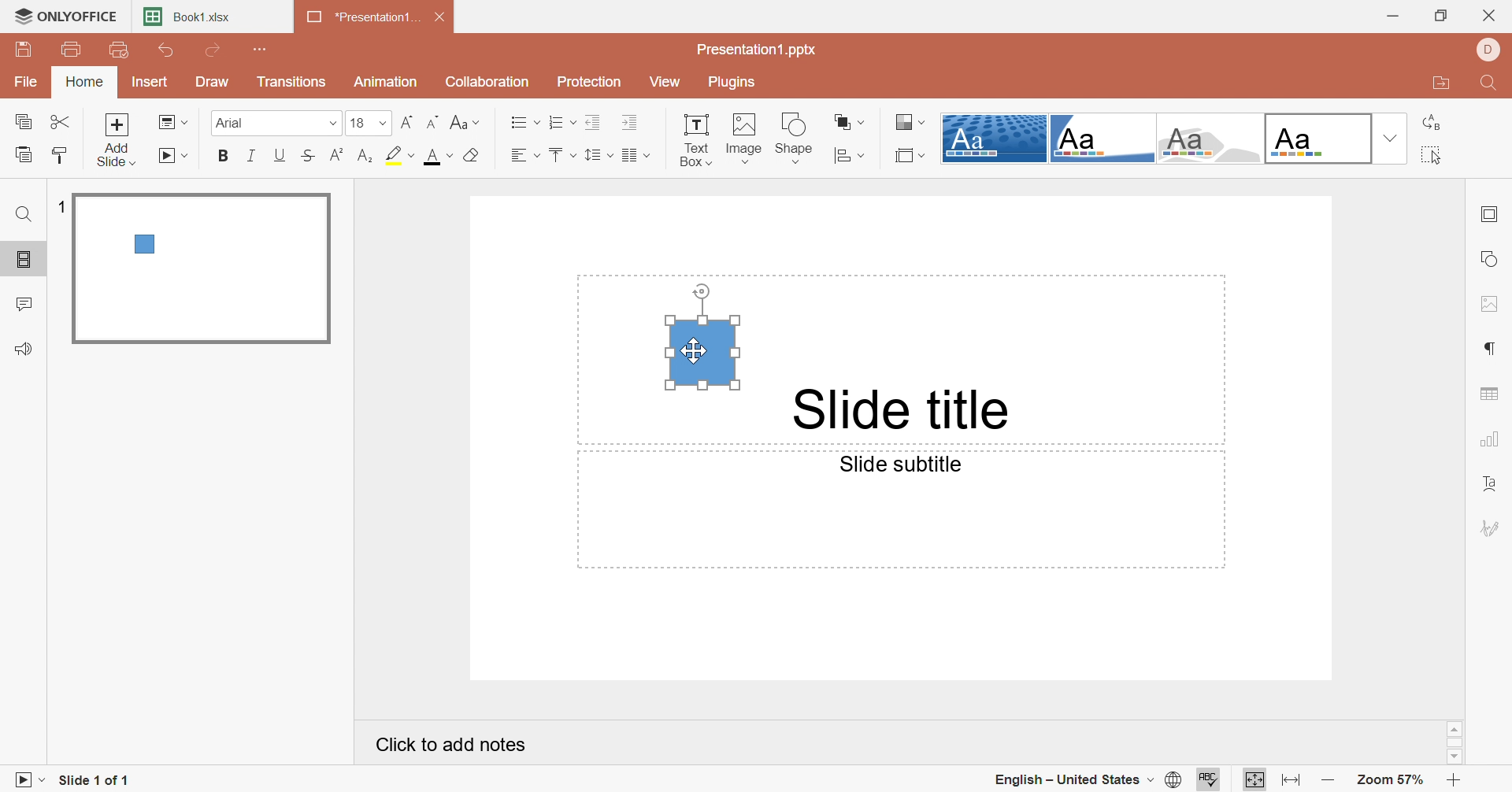 The height and width of the screenshot is (792, 1512). What do you see at coordinates (1103, 139) in the screenshot?
I see `Corner` at bounding box center [1103, 139].